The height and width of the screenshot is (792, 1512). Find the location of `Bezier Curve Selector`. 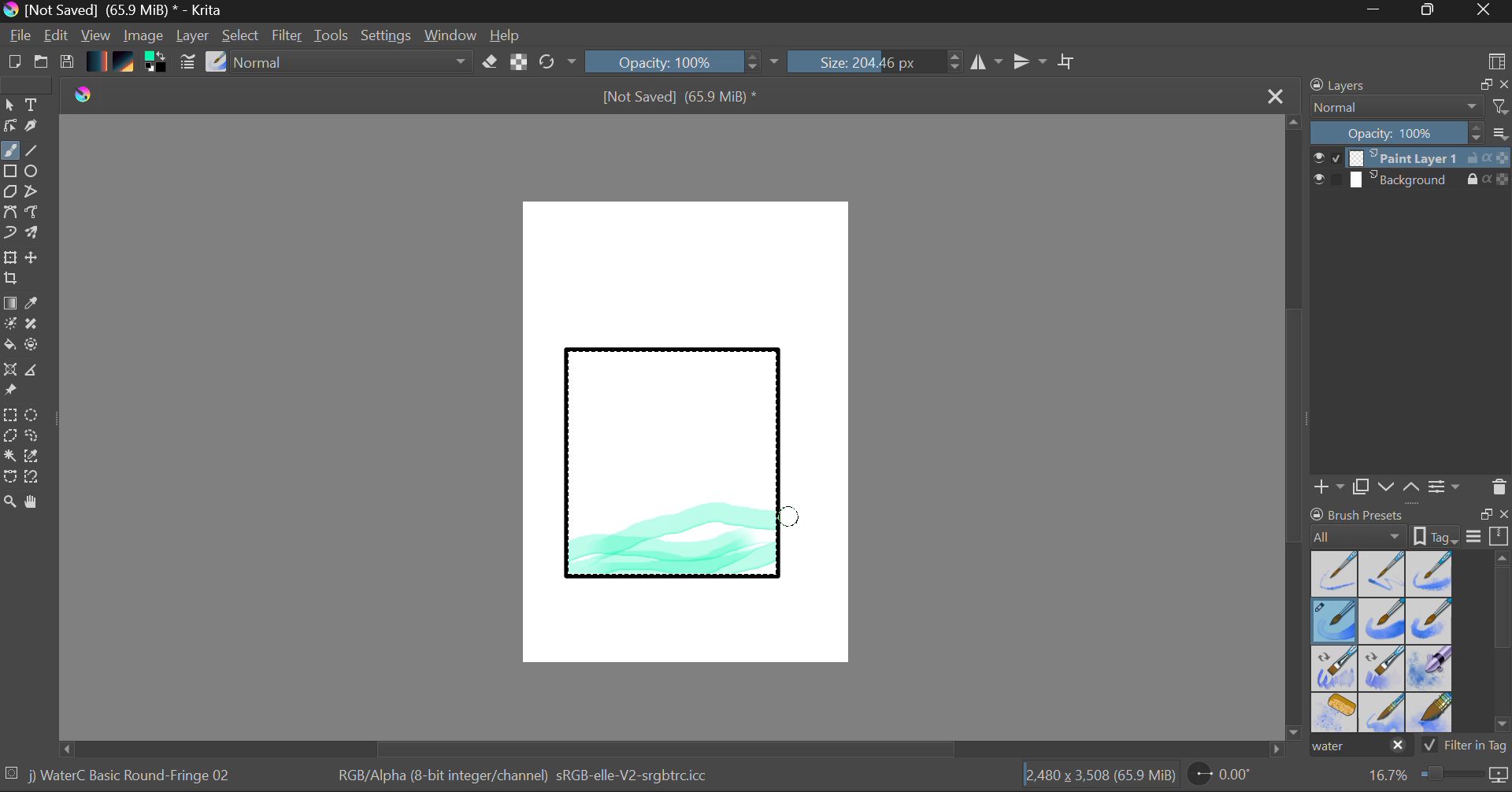

Bezier Curve Selector is located at coordinates (9, 478).